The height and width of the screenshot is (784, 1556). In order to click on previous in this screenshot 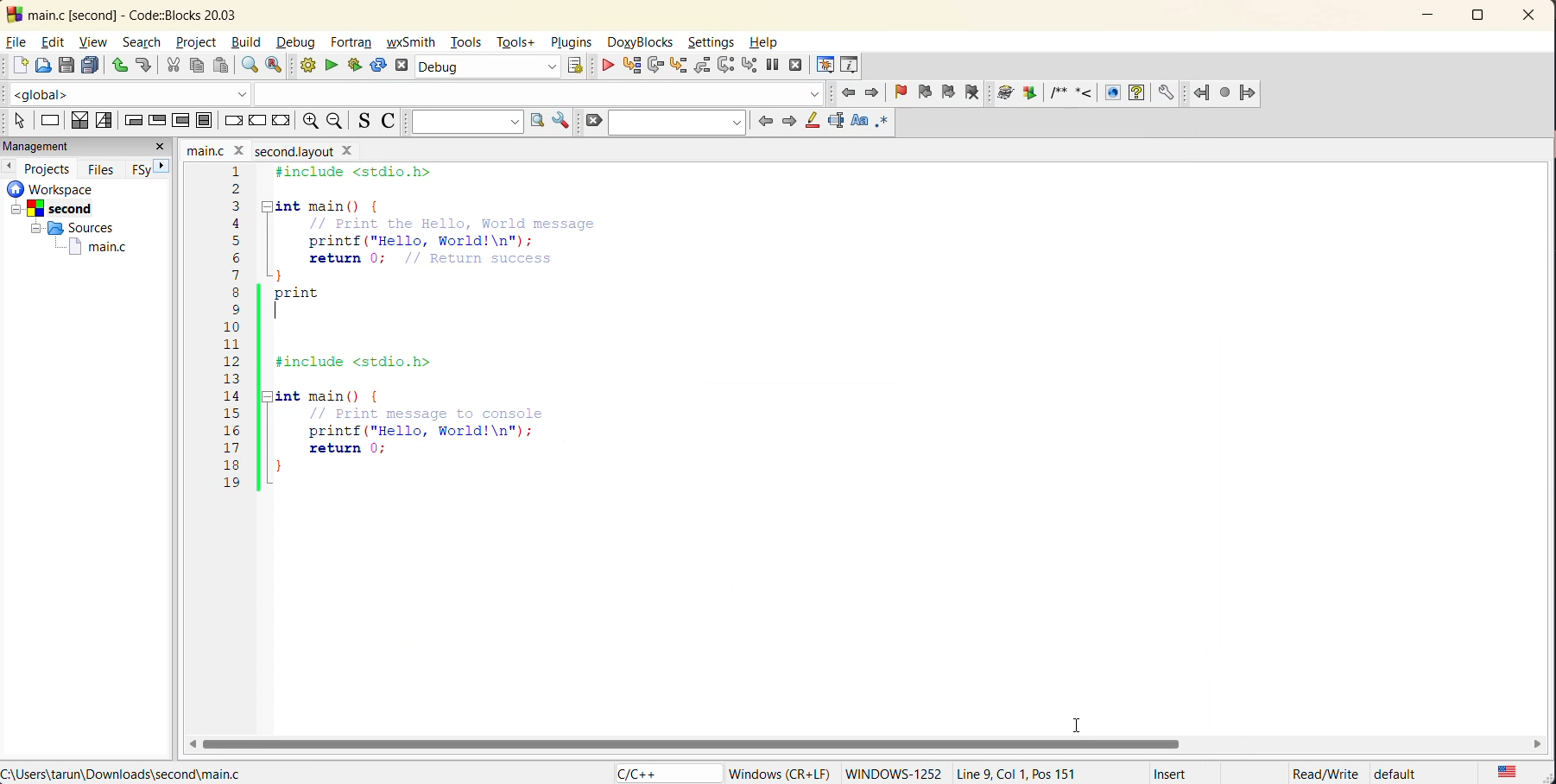, I will do `click(762, 121)`.